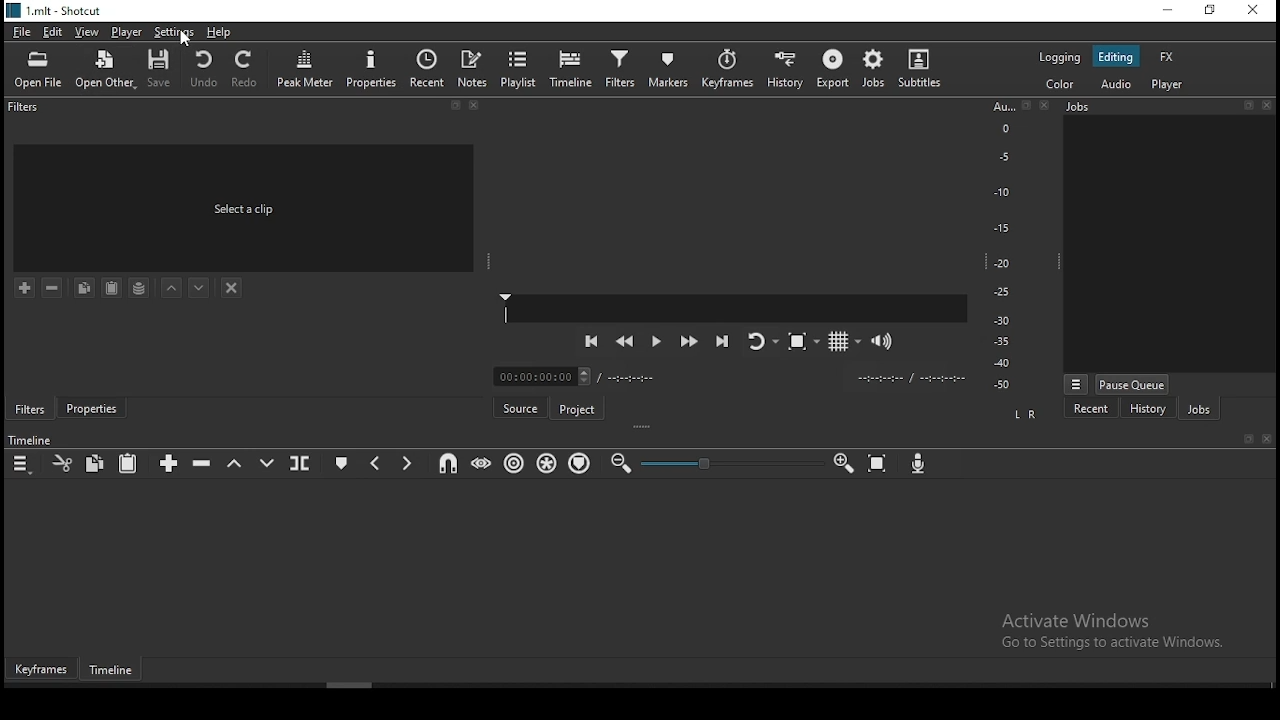 The image size is (1280, 720). What do you see at coordinates (924, 68) in the screenshot?
I see `subtitles` at bounding box center [924, 68].